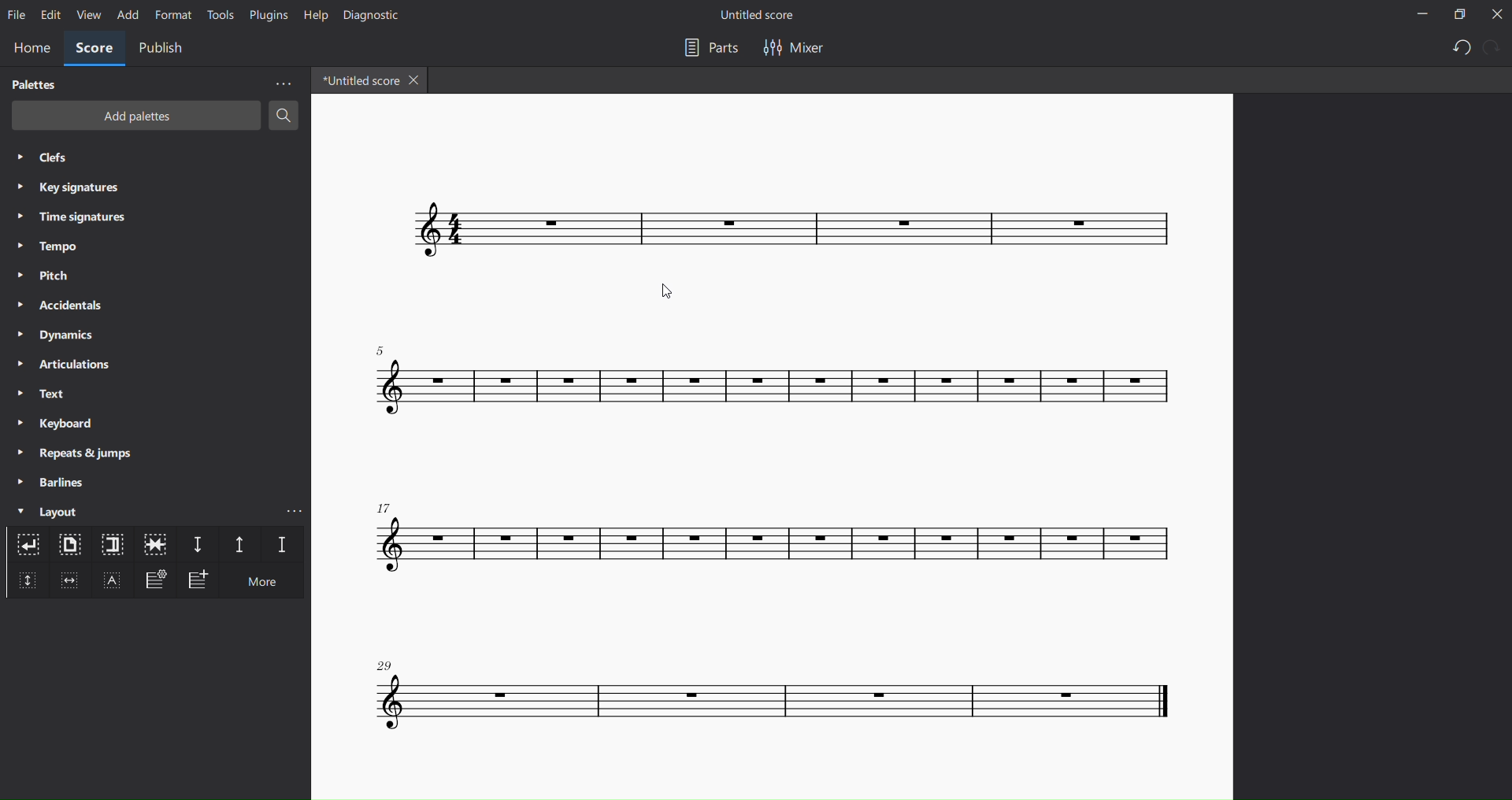 The image size is (1512, 800). Describe the element at coordinates (71, 547) in the screenshot. I see `page break` at that location.